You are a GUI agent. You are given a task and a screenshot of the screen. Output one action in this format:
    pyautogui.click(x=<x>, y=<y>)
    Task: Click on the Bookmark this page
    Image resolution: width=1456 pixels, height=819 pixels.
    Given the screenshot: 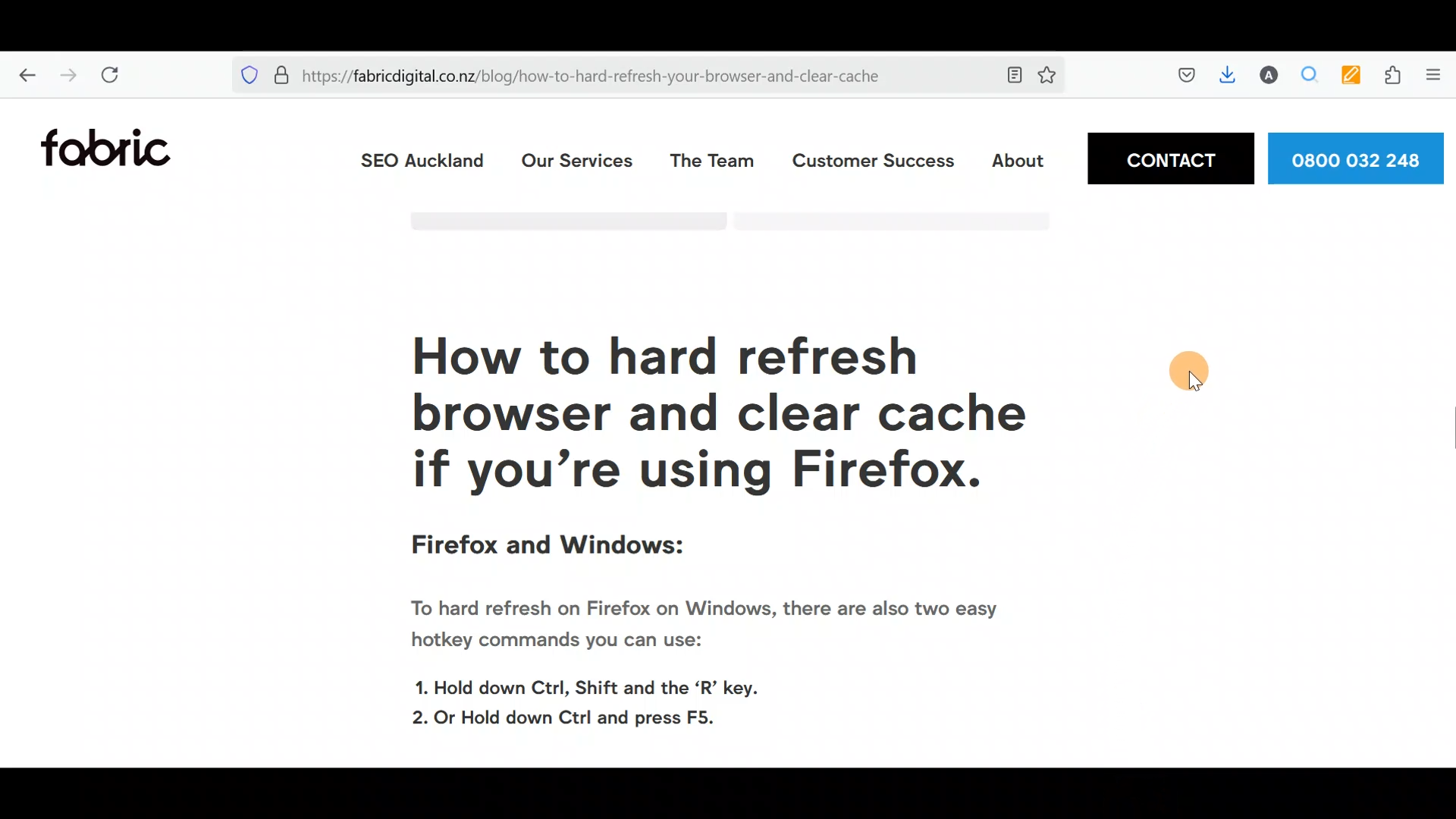 What is the action you would take?
    pyautogui.click(x=1053, y=77)
    